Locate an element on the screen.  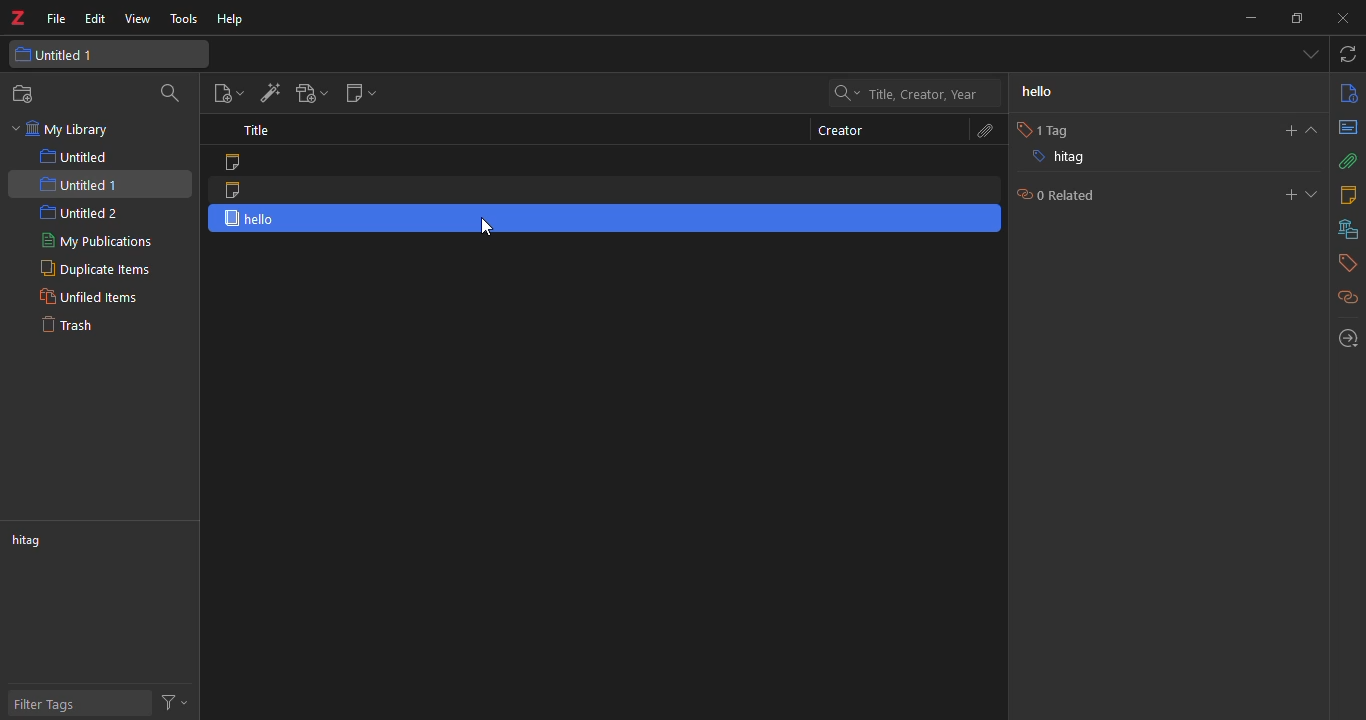
my library is located at coordinates (72, 131).